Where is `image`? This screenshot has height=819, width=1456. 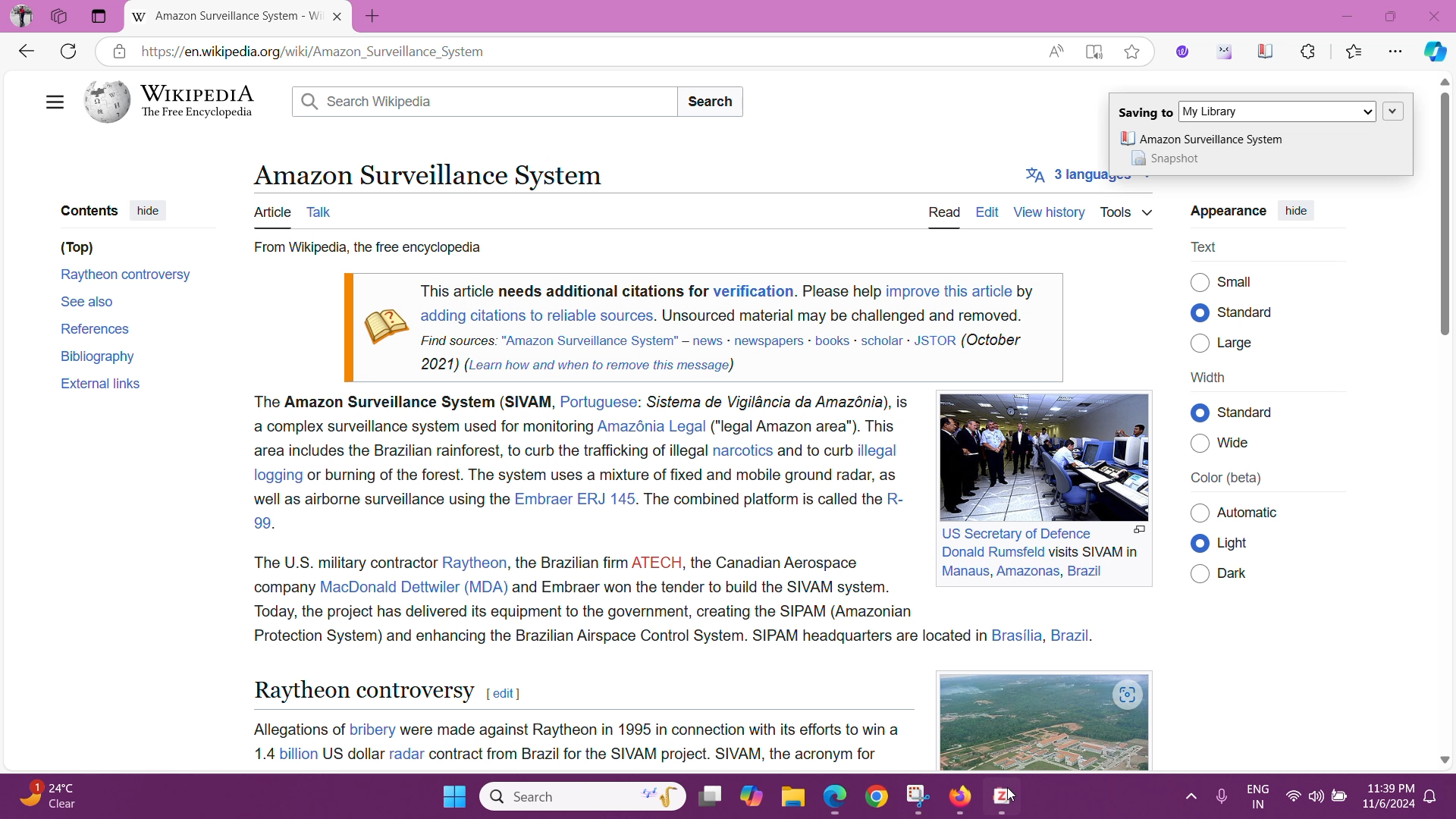
image is located at coordinates (1037, 455).